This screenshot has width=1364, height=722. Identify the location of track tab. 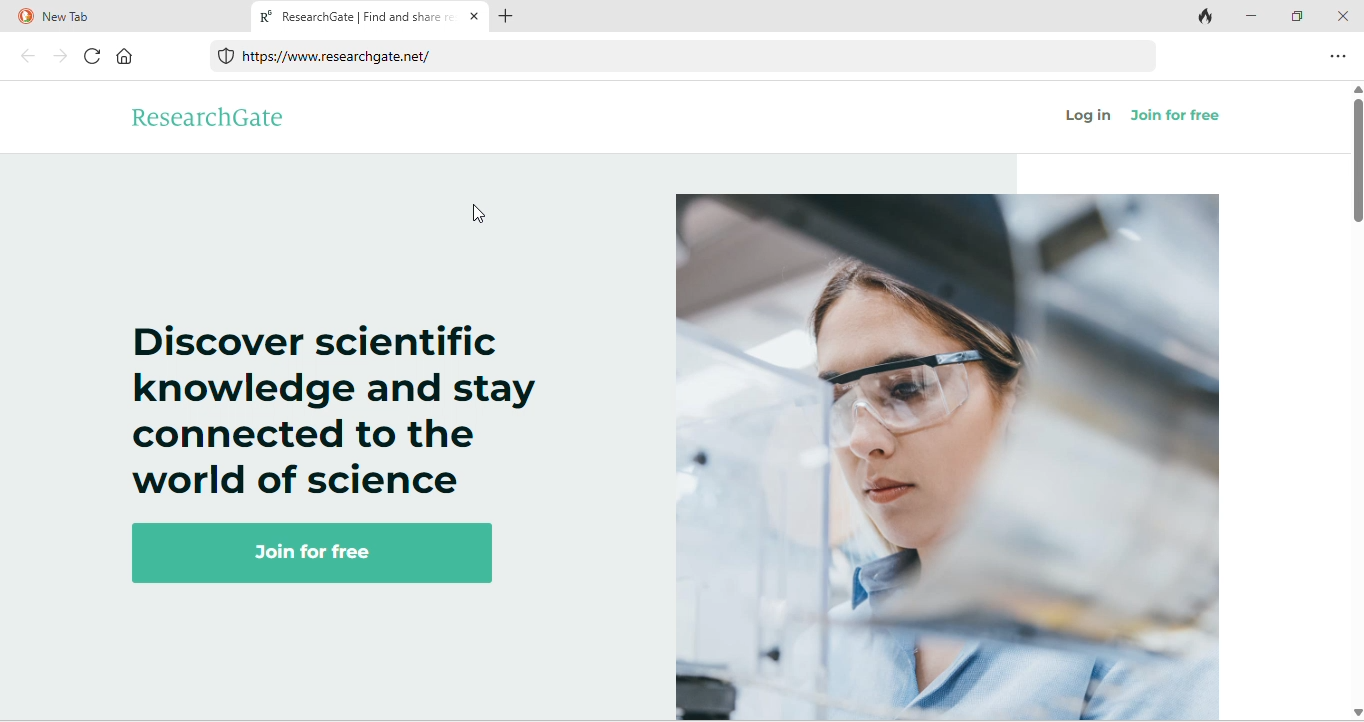
(1208, 18).